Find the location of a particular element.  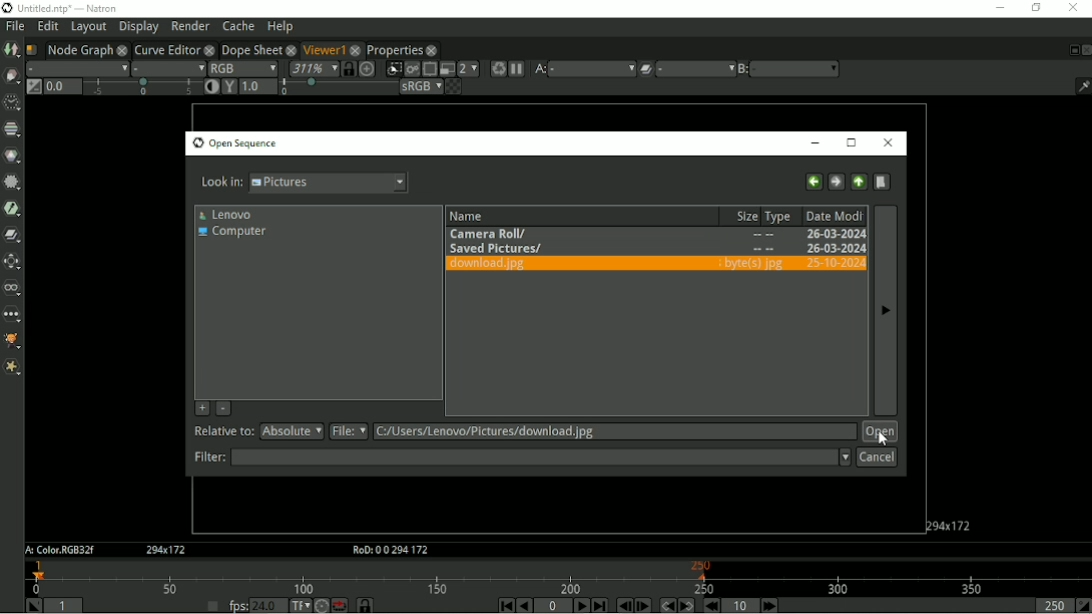

sRGB is located at coordinates (421, 87).